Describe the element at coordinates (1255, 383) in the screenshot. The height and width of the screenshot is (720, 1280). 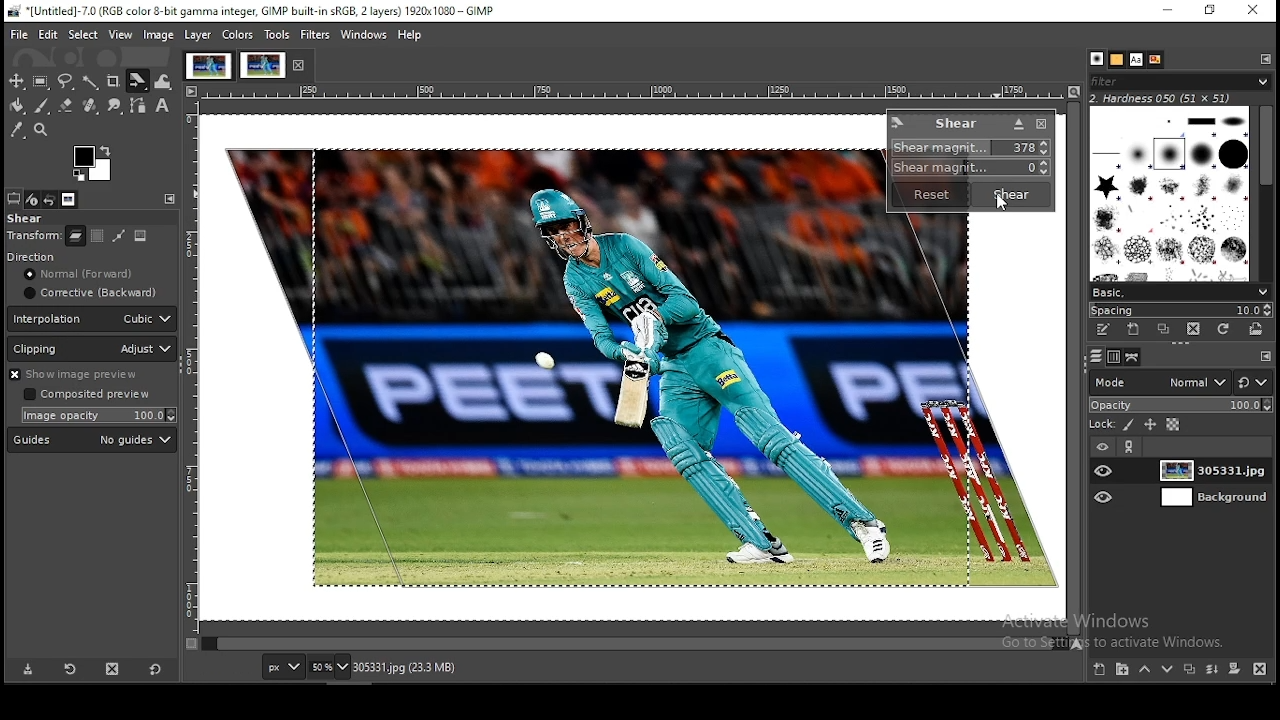
I see `switch between modes` at that location.